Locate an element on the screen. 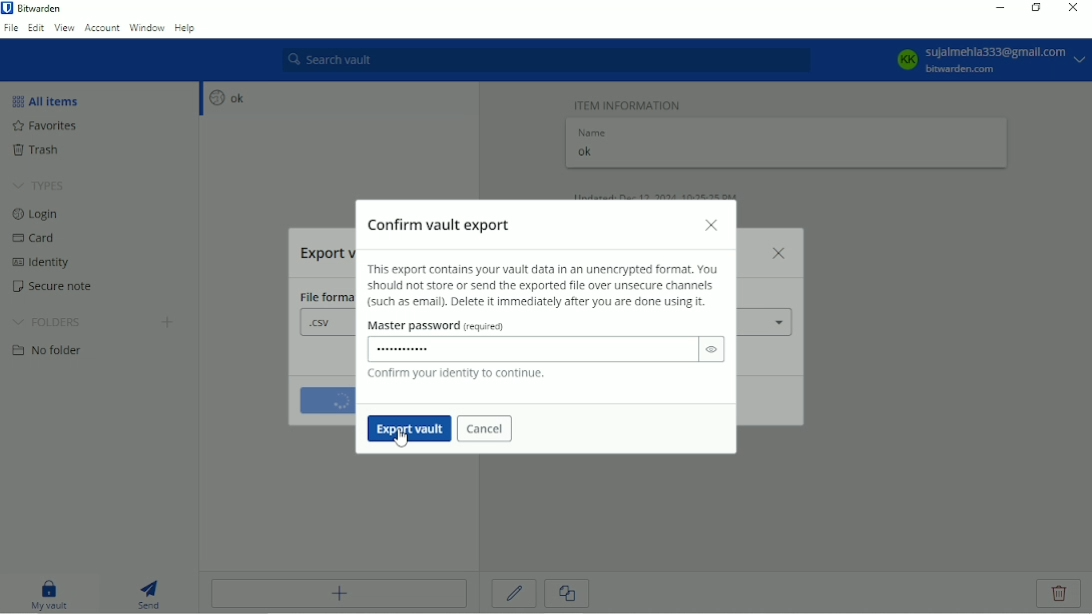 The image size is (1092, 614). View is located at coordinates (64, 27).